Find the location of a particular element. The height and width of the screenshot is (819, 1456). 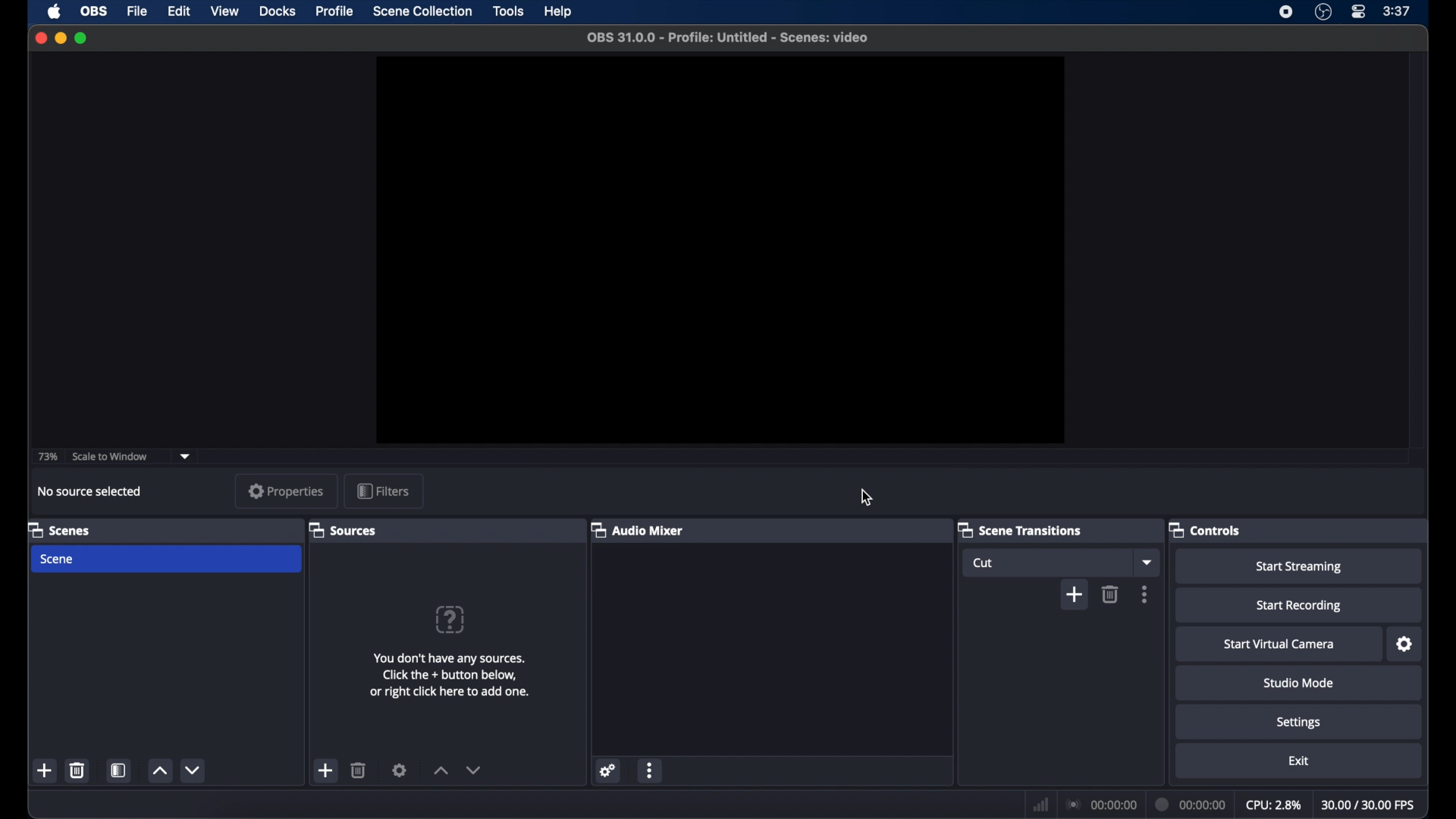

no source selected is located at coordinates (94, 491).